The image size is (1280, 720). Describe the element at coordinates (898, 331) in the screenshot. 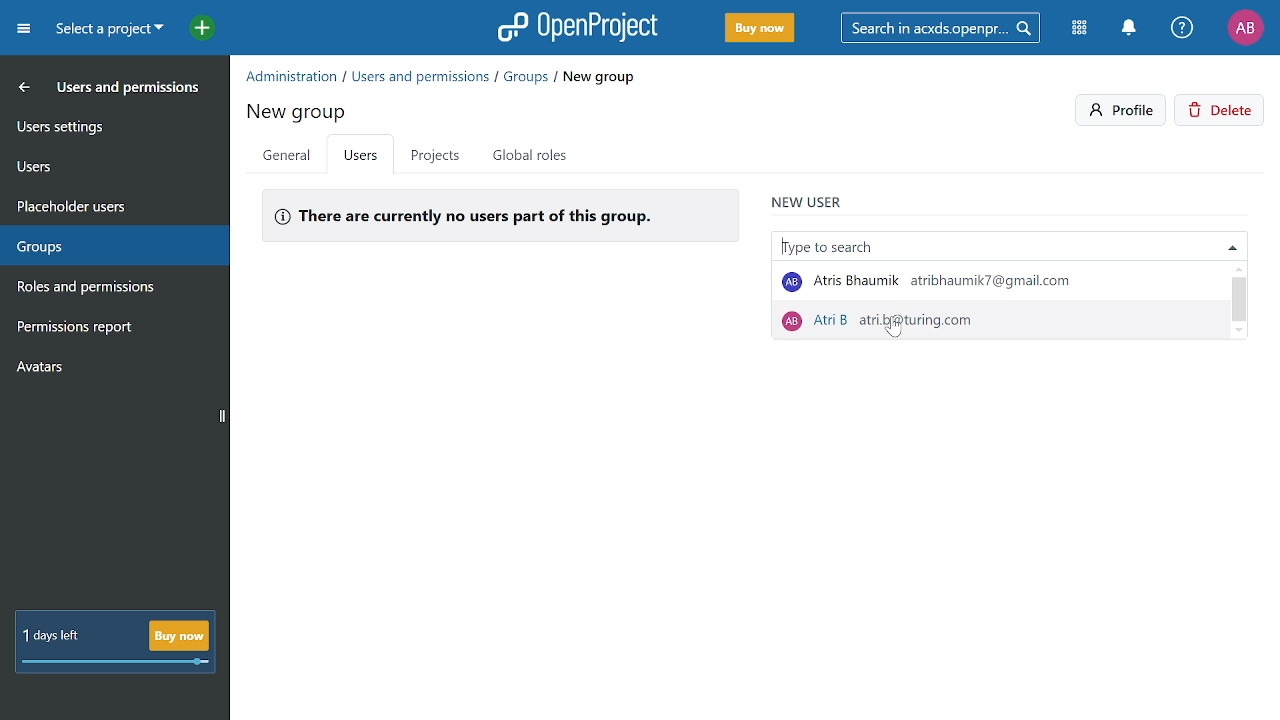

I see `cursor` at that location.